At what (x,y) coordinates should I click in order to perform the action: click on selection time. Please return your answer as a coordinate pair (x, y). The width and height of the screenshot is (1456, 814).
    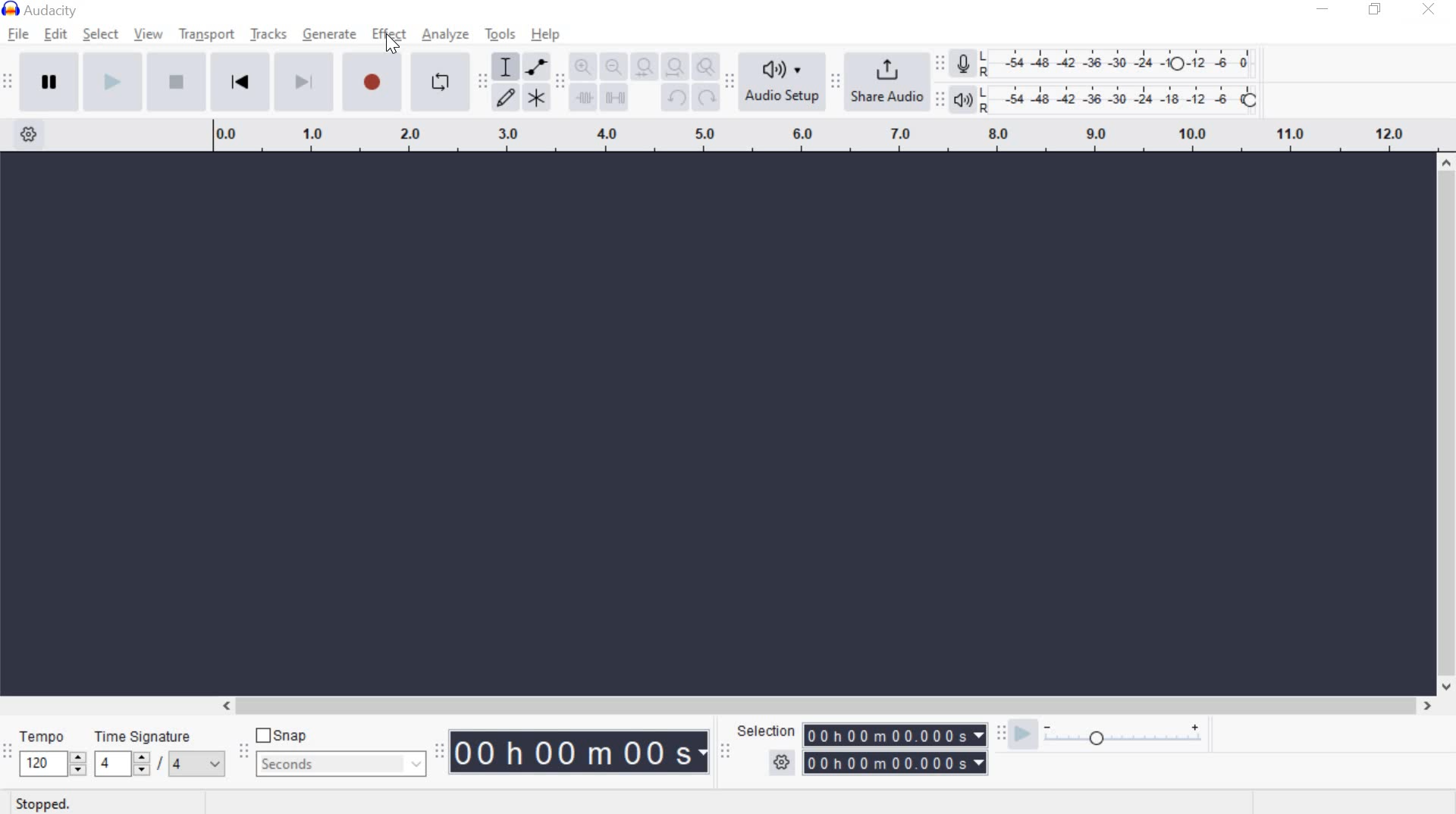
    Looking at the image, I should click on (893, 734).